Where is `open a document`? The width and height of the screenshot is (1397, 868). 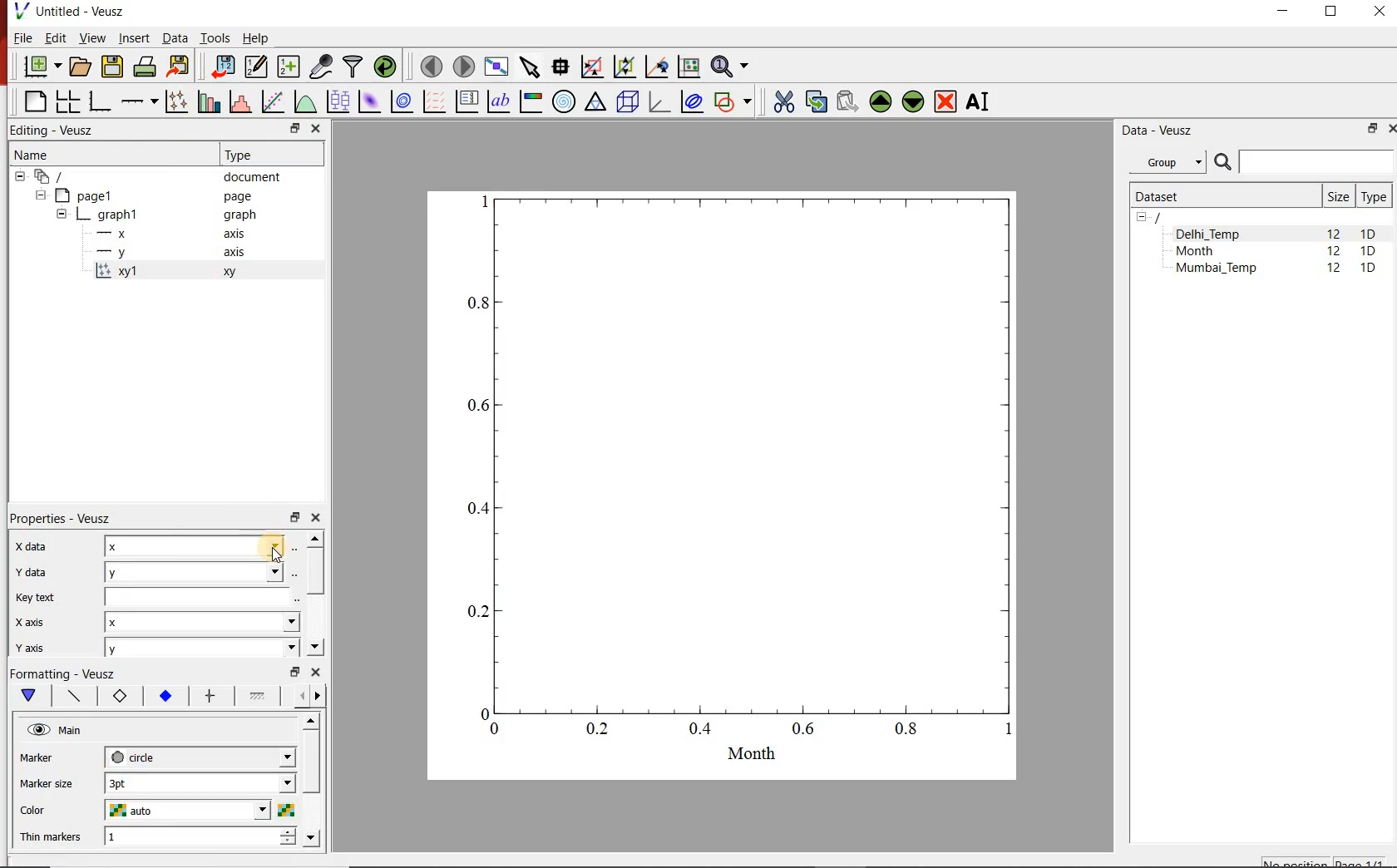 open a document is located at coordinates (79, 67).